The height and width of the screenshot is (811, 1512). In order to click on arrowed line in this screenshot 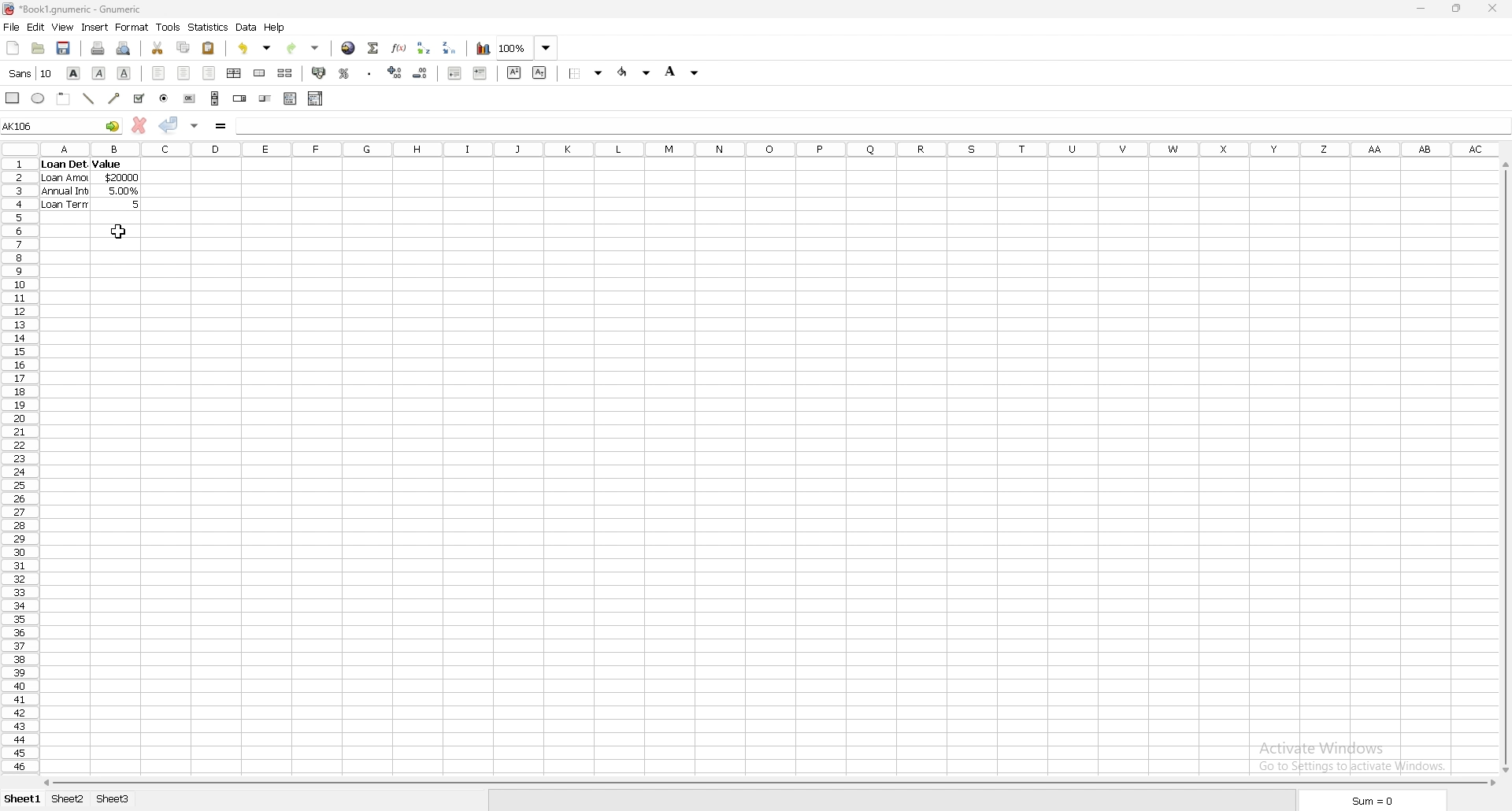, I will do `click(116, 98)`.